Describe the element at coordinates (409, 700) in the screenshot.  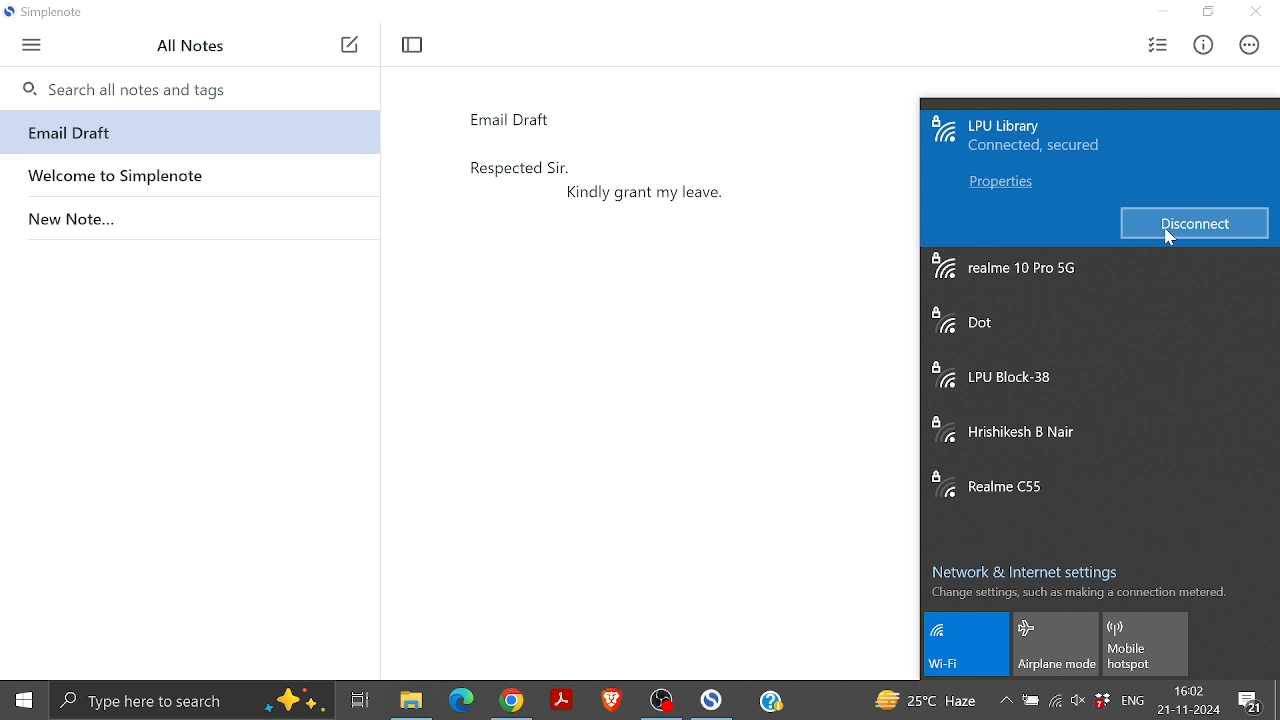
I see `Files` at that location.